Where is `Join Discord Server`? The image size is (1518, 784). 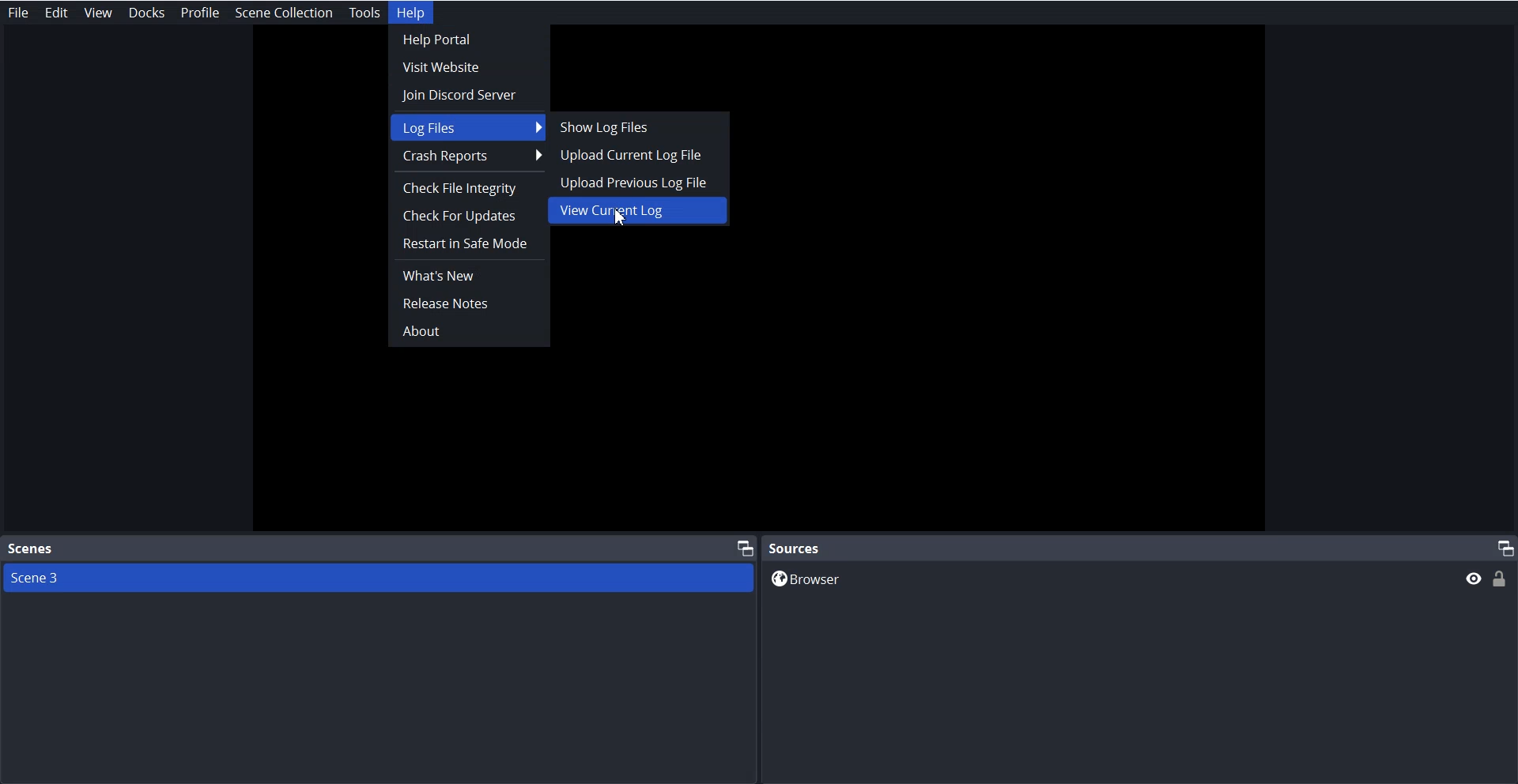 Join Discord Server is located at coordinates (469, 94).